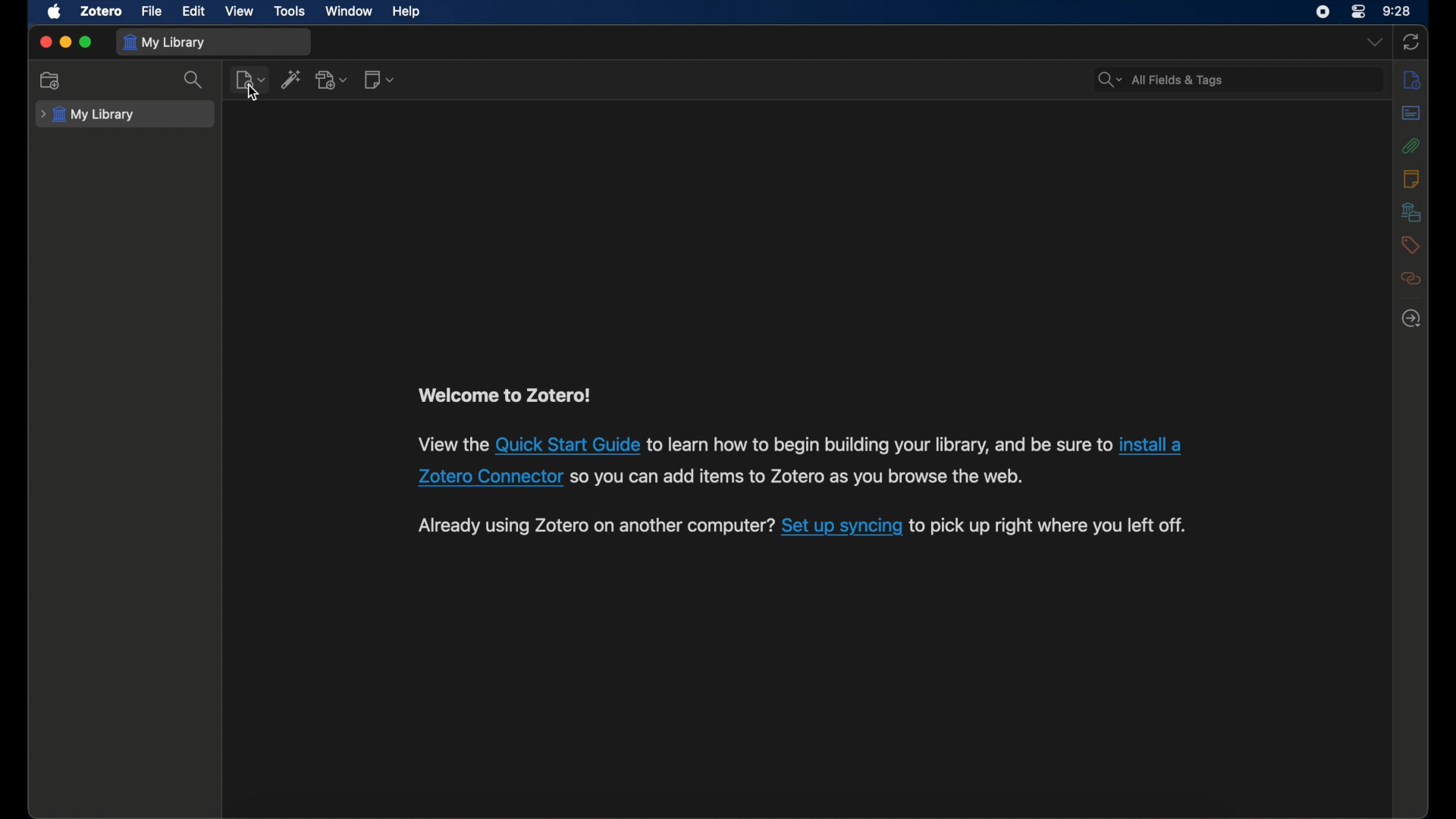 The height and width of the screenshot is (819, 1456). I want to click on locate, so click(1411, 318).